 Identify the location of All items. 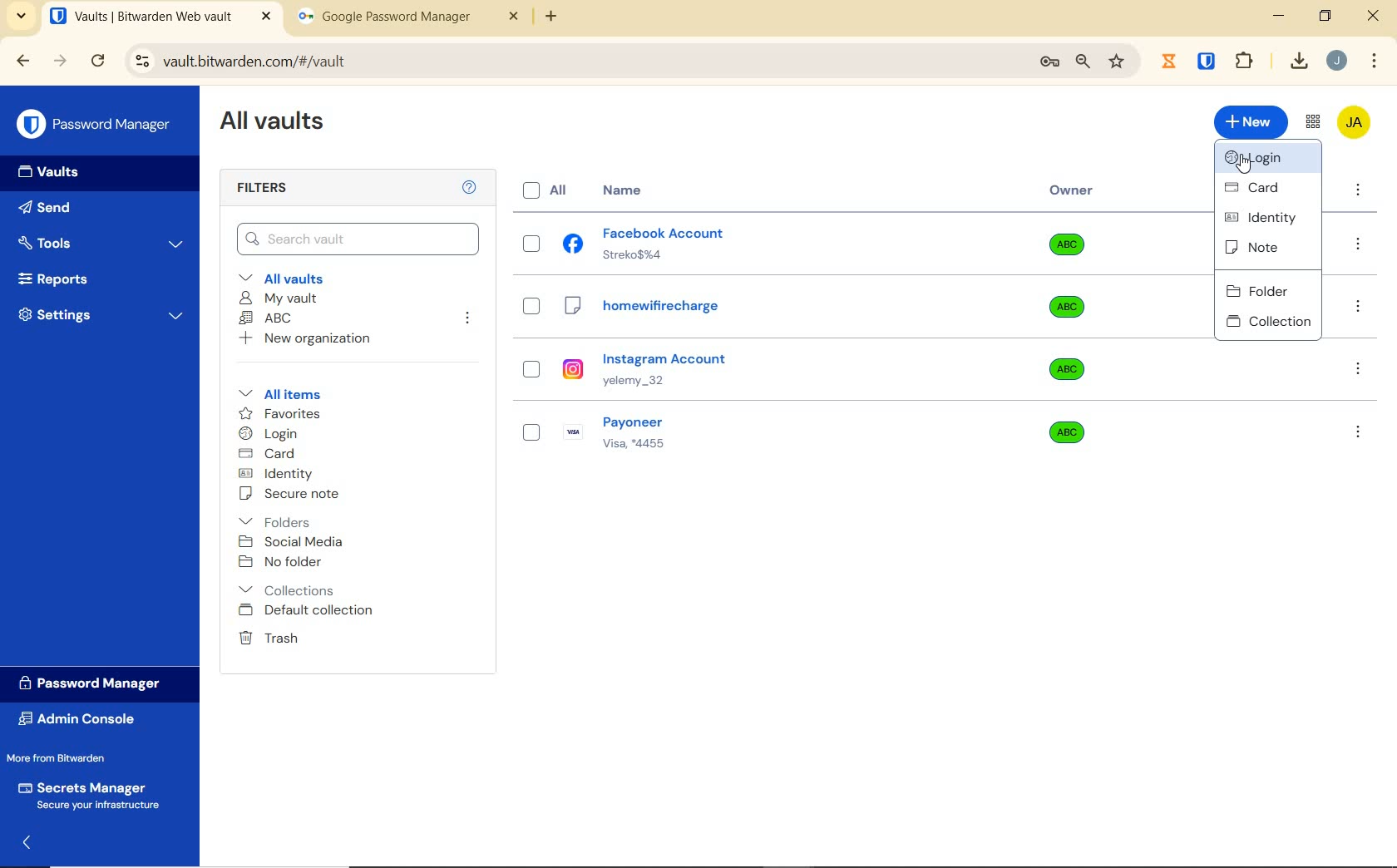
(277, 392).